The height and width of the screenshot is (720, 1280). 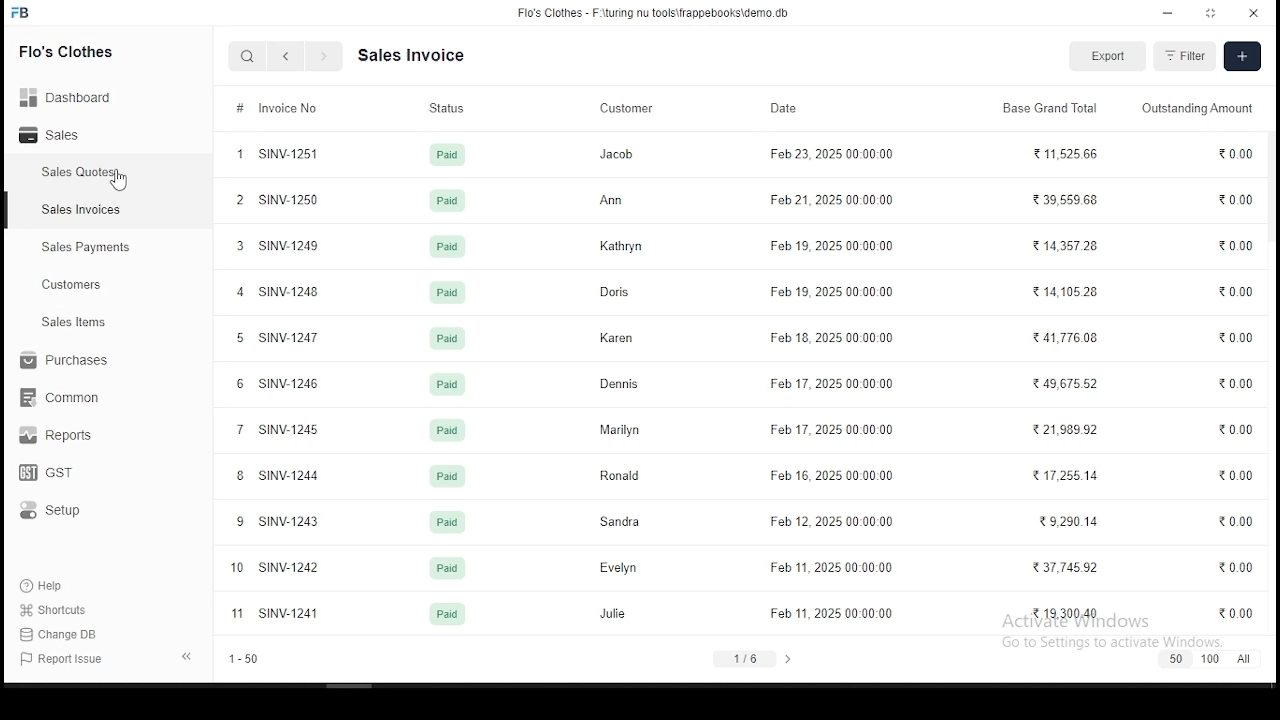 I want to click on 1930040, so click(x=1063, y=615).